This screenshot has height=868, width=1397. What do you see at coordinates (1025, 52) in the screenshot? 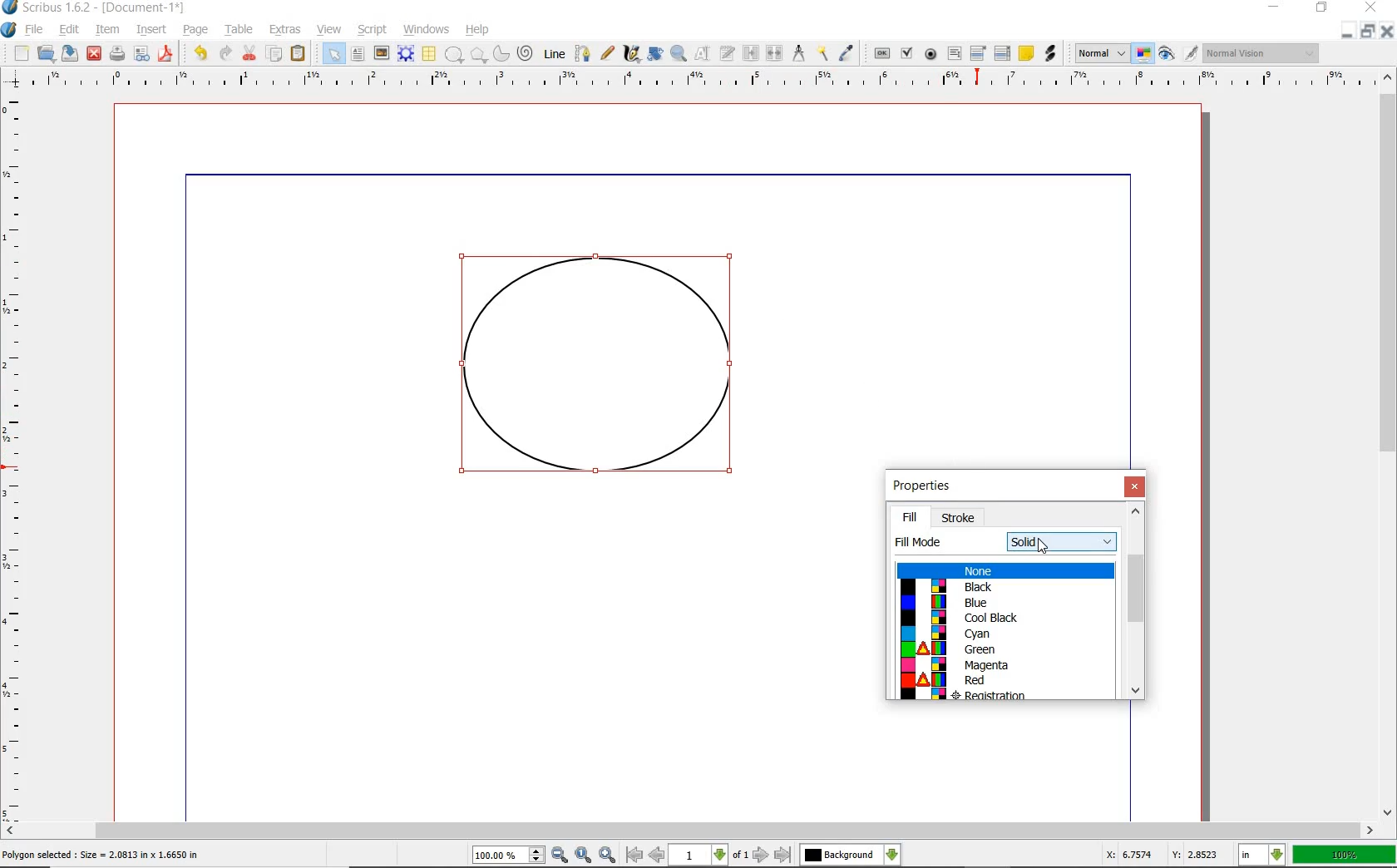
I see `TEXT ANNOATATION` at bounding box center [1025, 52].